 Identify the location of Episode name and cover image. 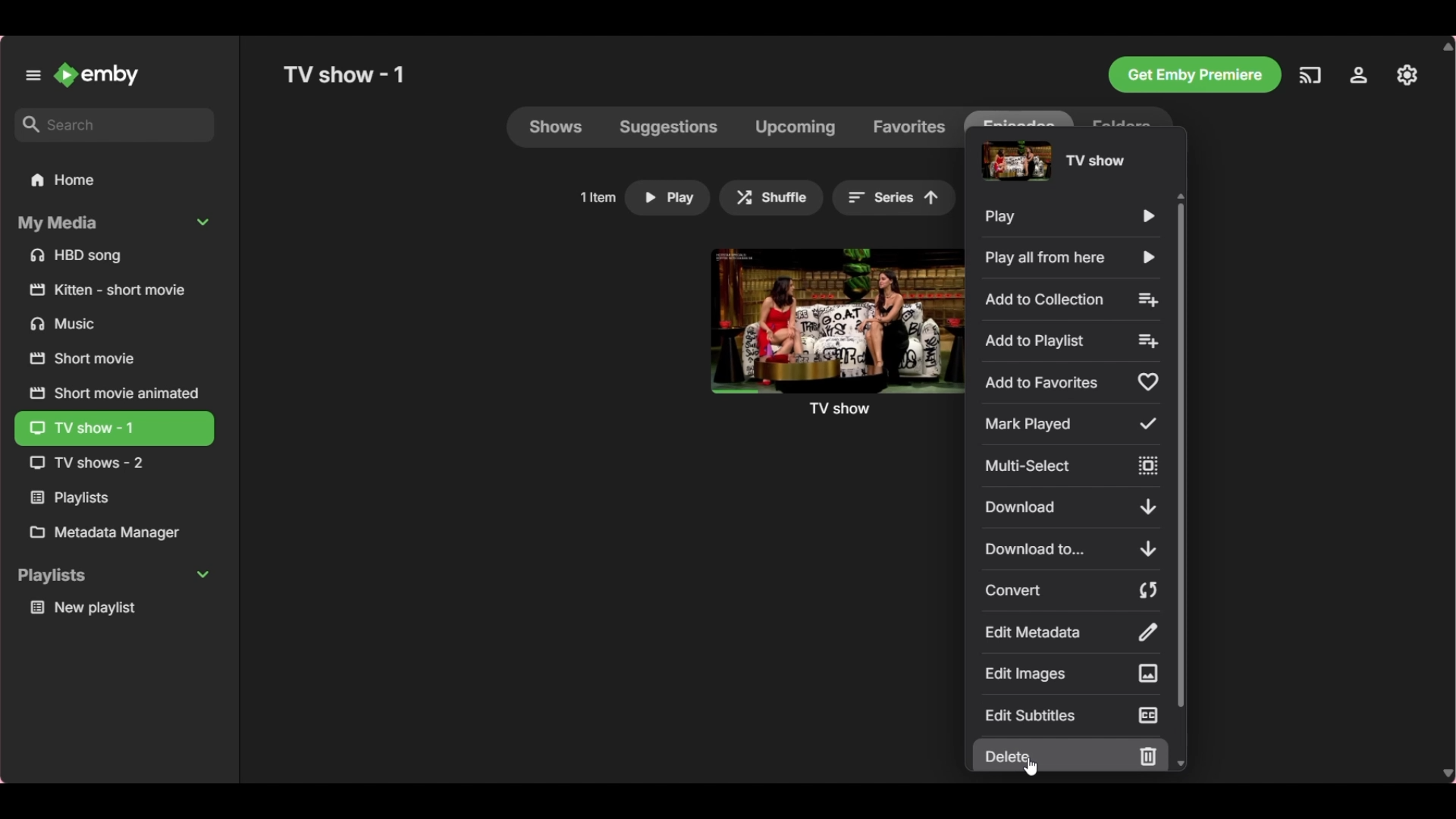
(1053, 160).